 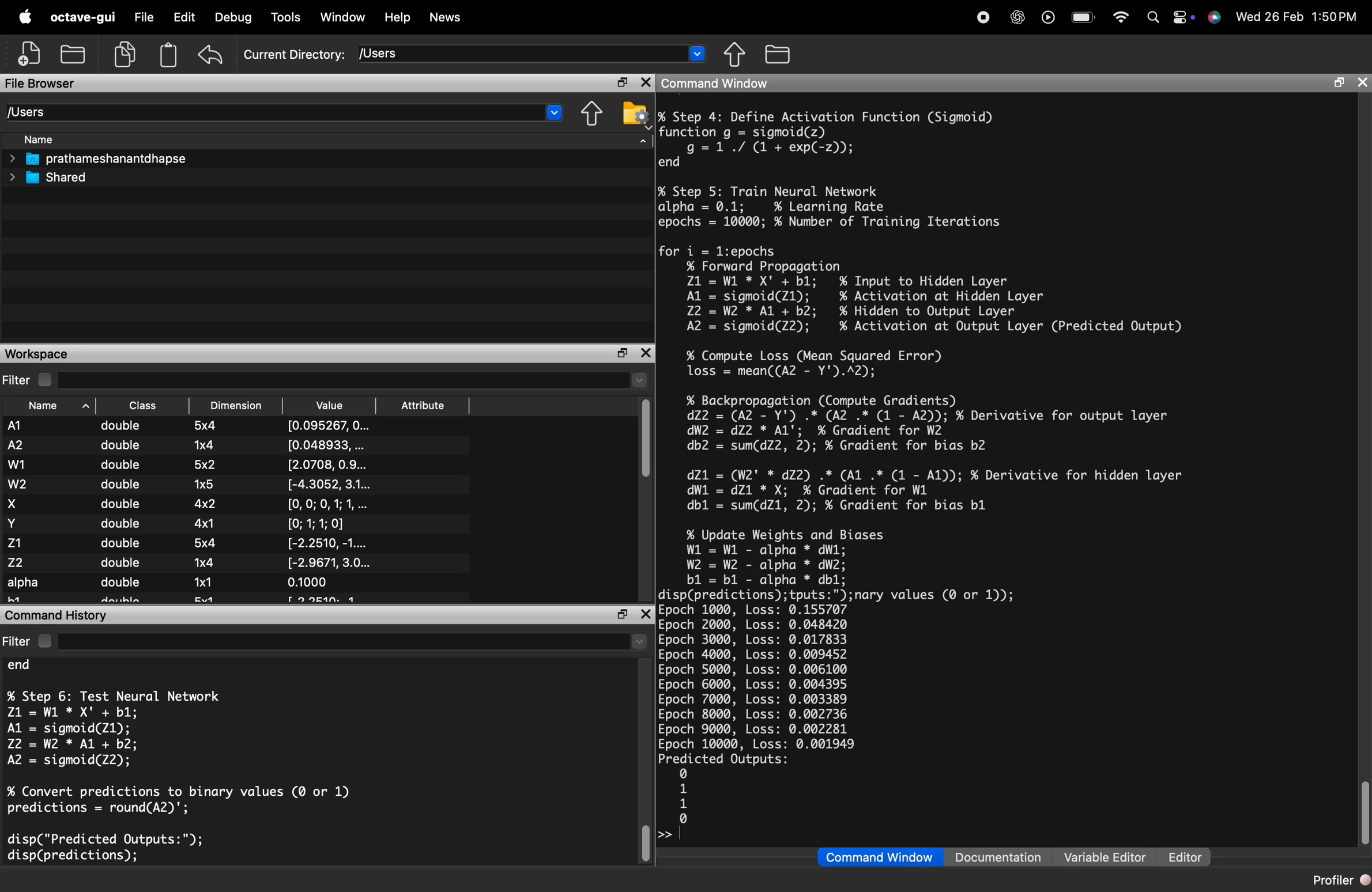 What do you see at coordinates (144, 17) in the screenshot?
I see `File` at bounding box center [144, 17].